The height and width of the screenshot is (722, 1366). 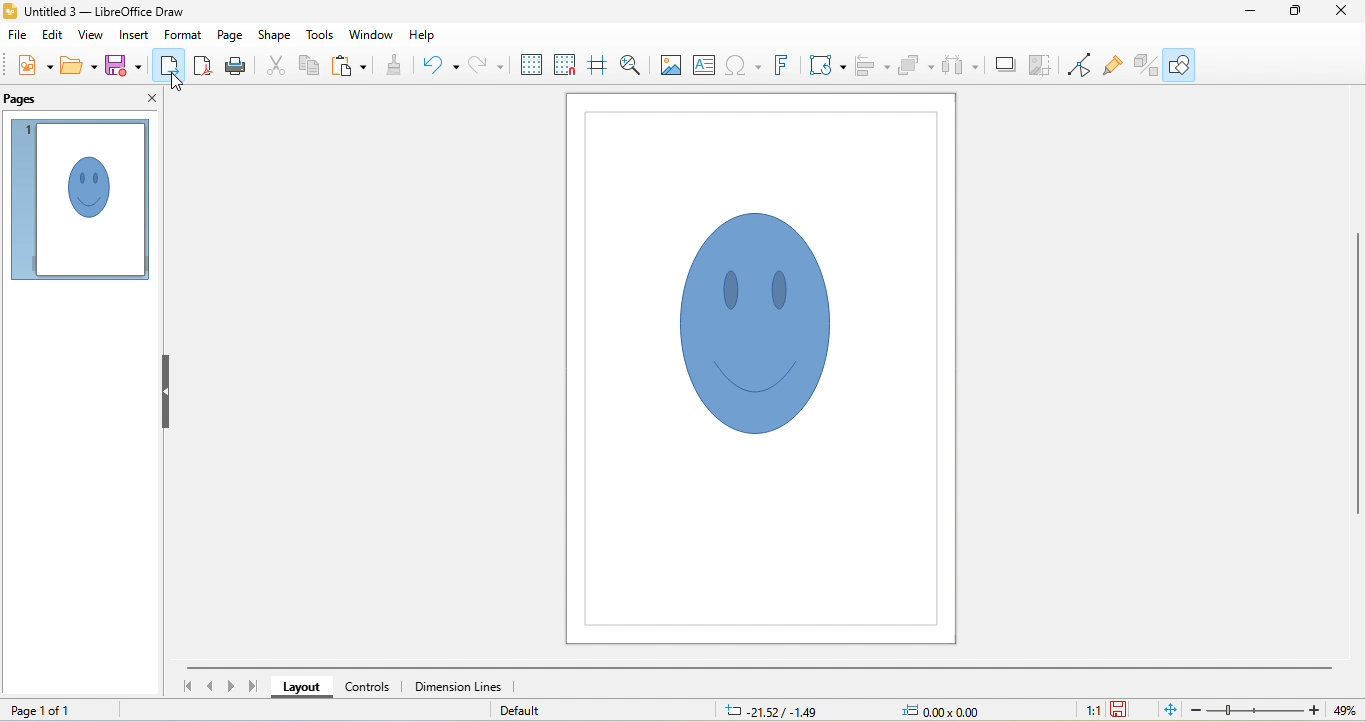 What do you see at coordinates (172, 64) in the screenshot?
I see `export` at bounding box center [172, 64].